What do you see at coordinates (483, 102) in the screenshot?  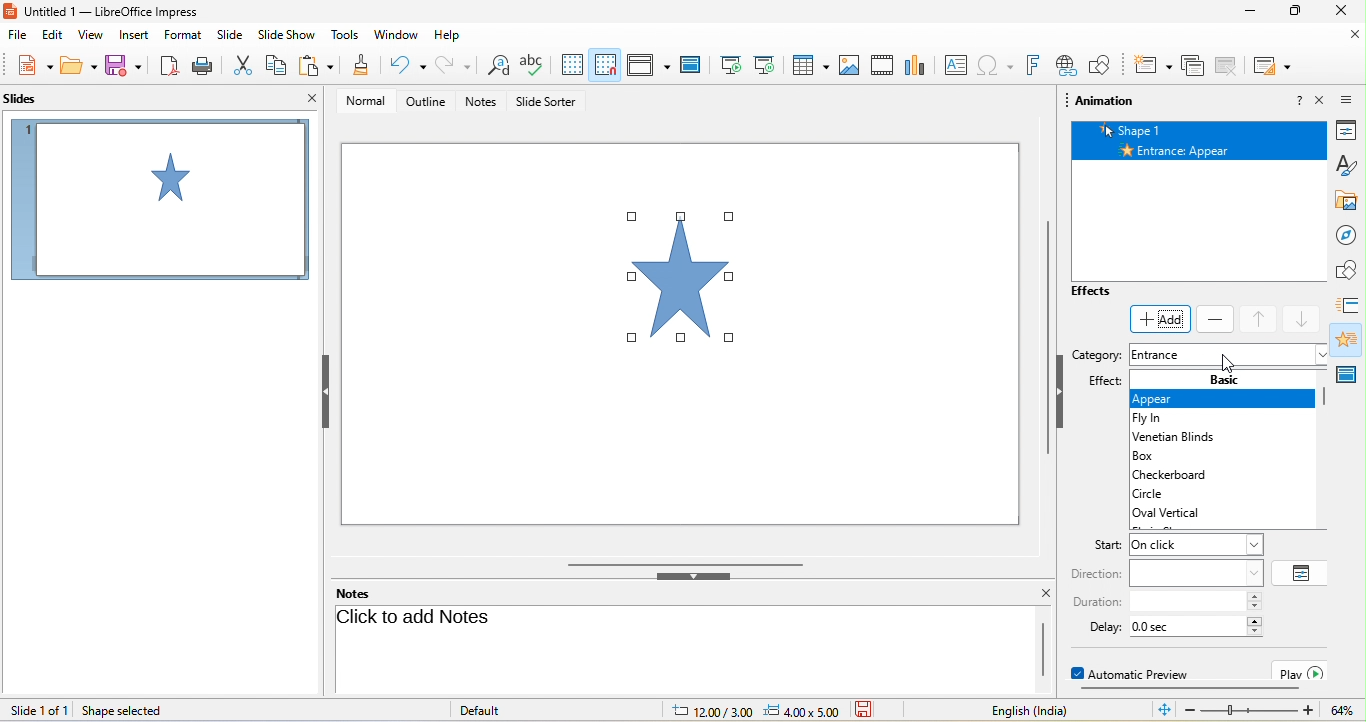 I see `notes` at bounding box center [483, 102].